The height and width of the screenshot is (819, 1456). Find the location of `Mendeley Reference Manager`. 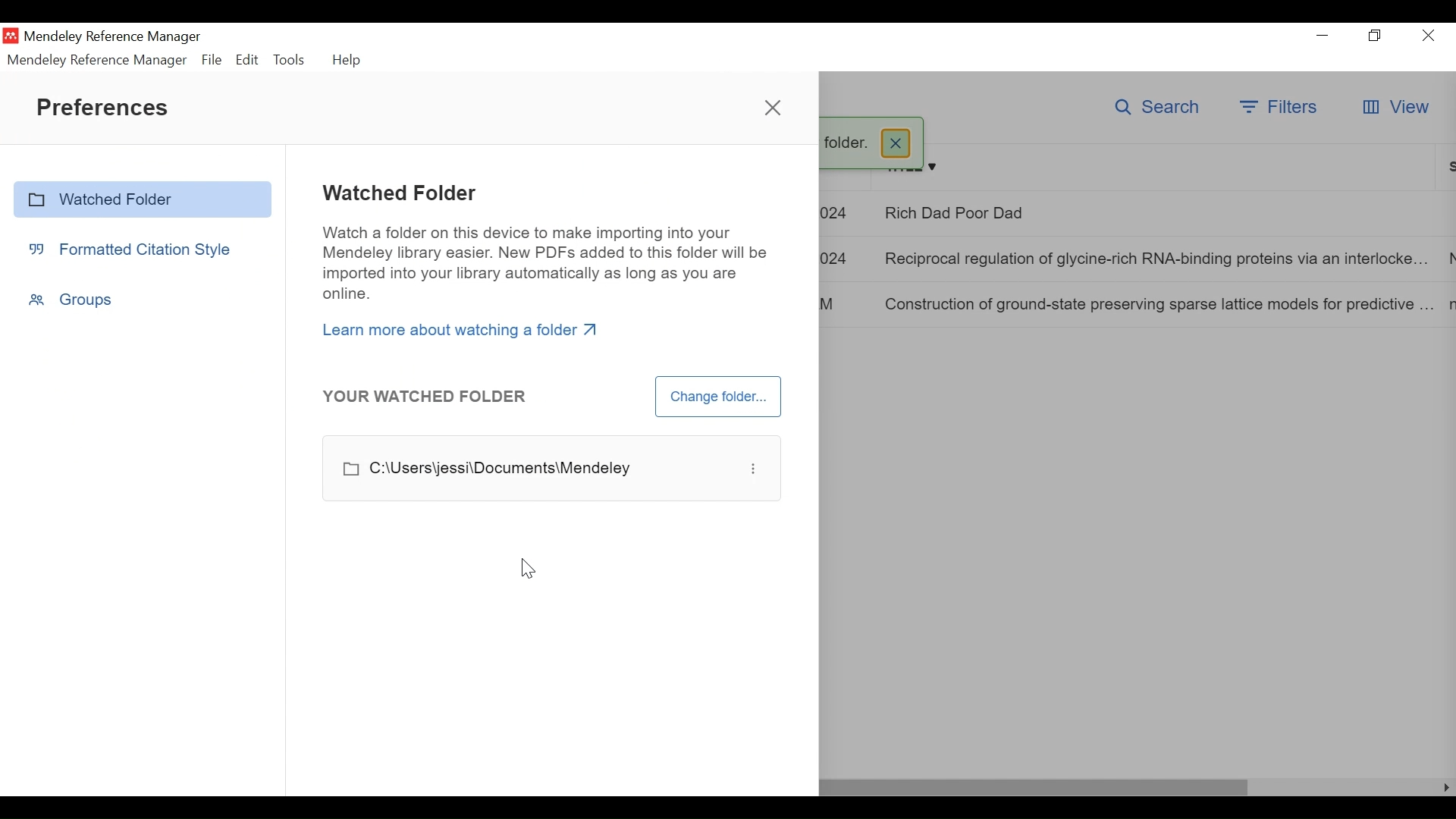

Mendeley Reference Manager is located at coordinates (99, 61).